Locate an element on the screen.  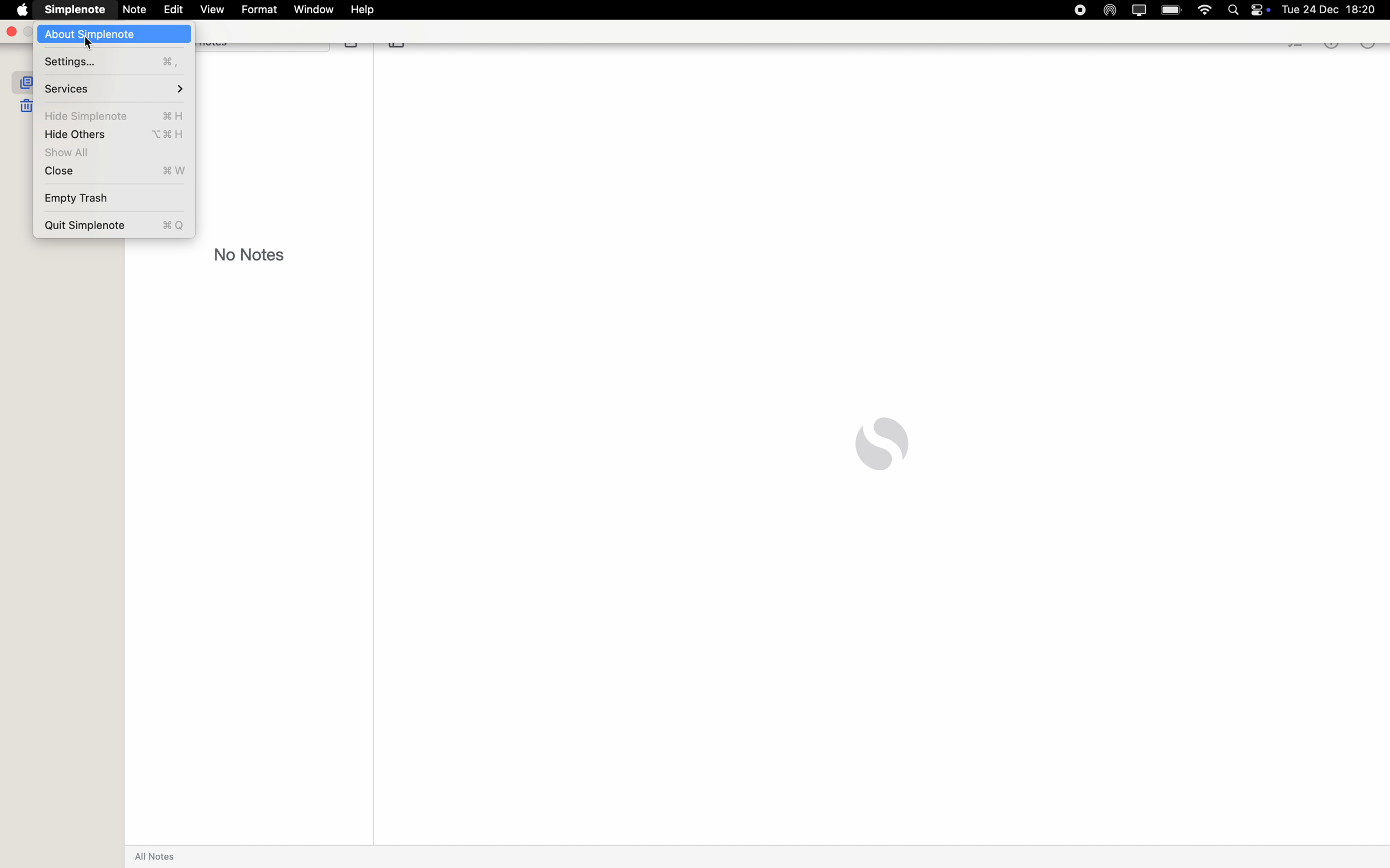
all notes is located at coordinates (21, 82).